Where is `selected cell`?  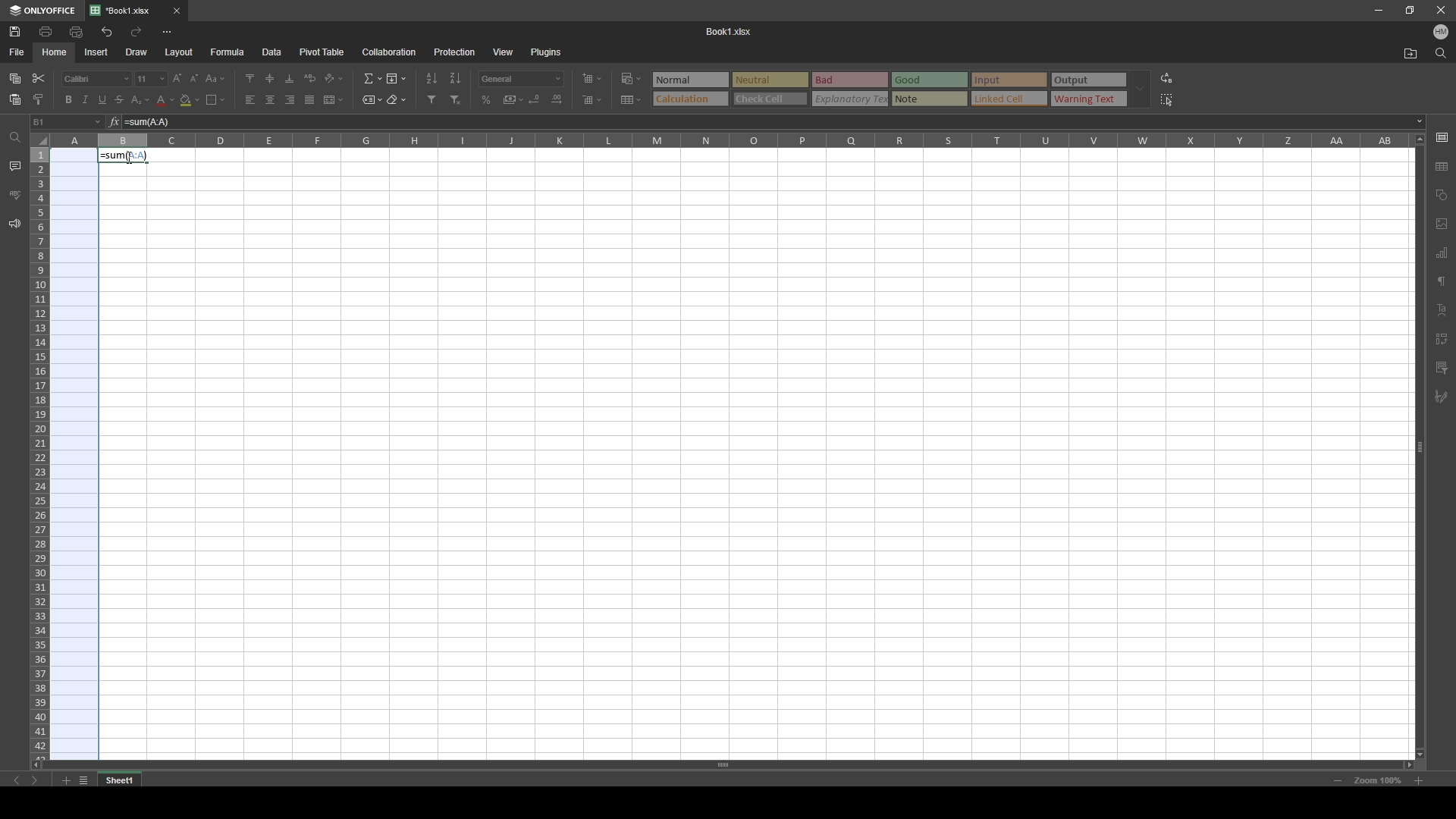
selected cell is located at coordinates (67, 122).